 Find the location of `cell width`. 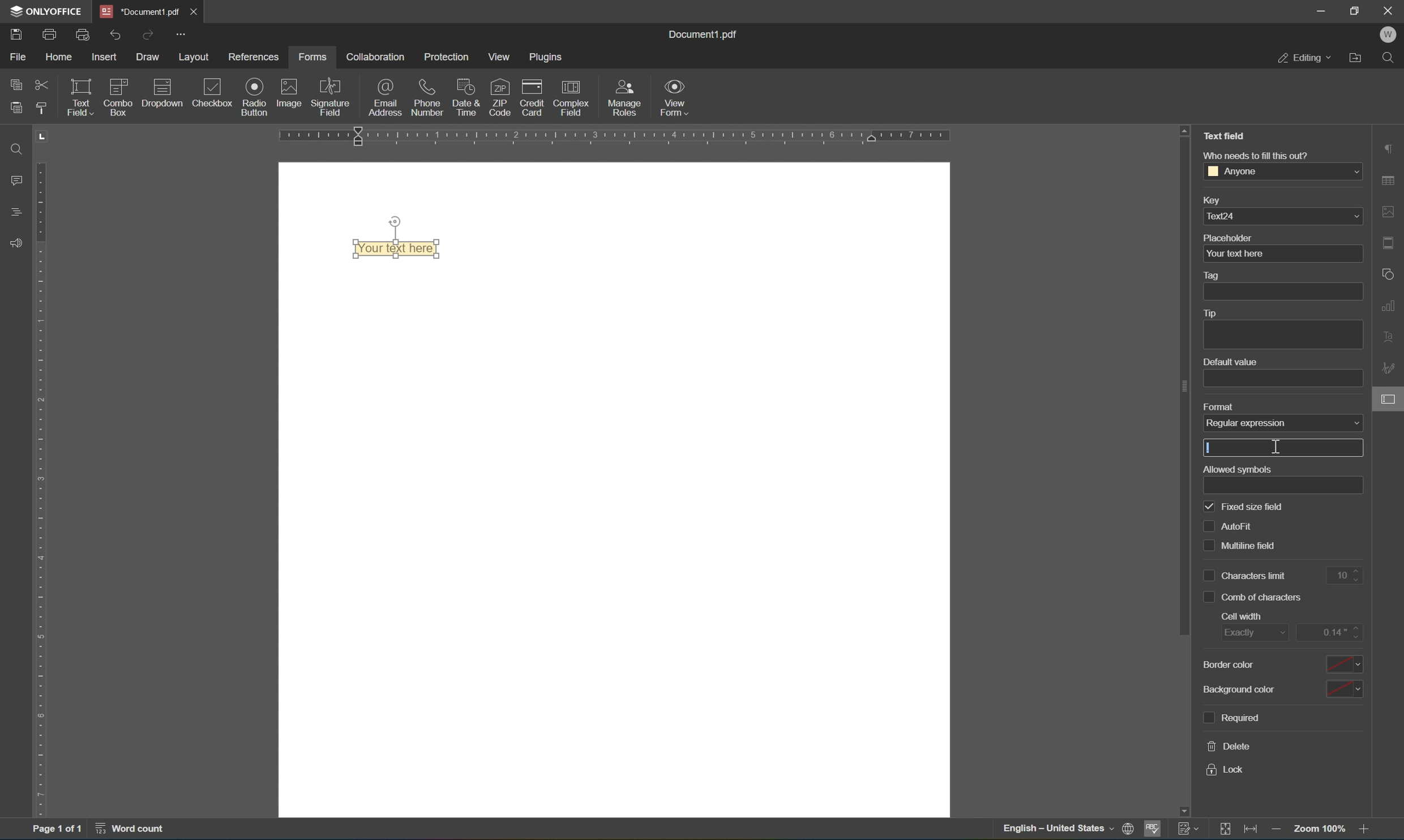

cell width is located at coordinates (1242, 616).